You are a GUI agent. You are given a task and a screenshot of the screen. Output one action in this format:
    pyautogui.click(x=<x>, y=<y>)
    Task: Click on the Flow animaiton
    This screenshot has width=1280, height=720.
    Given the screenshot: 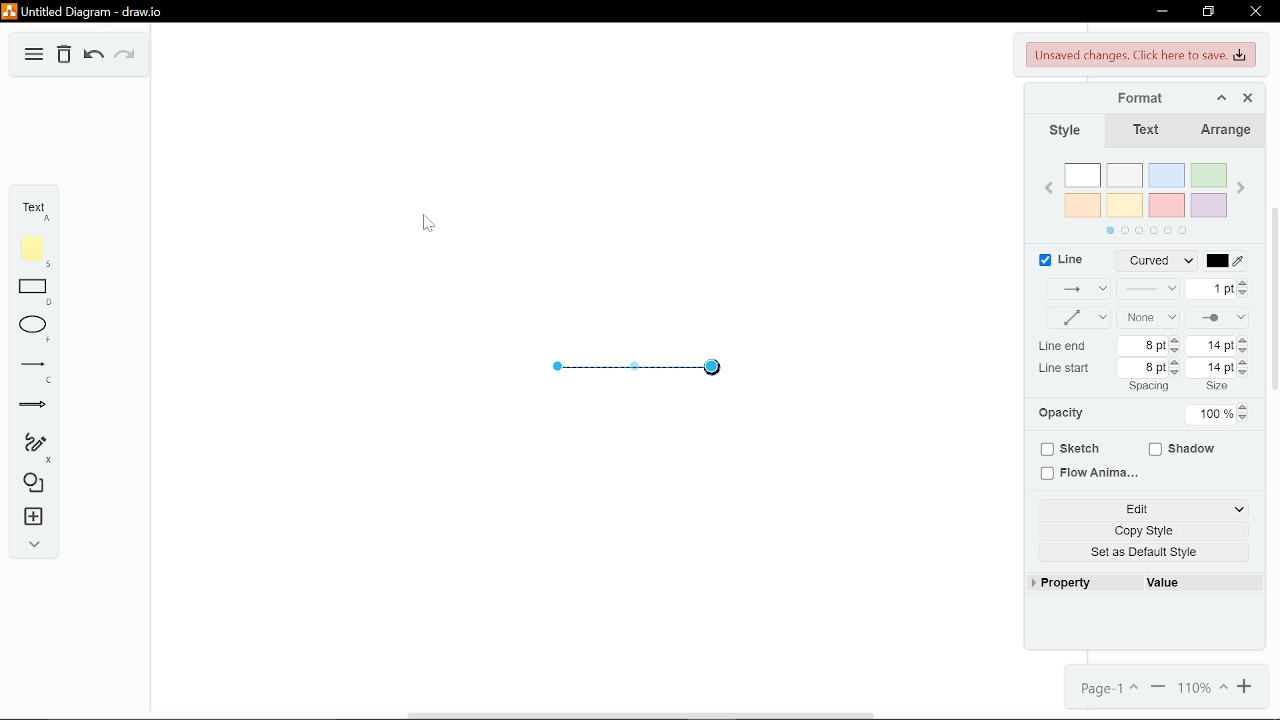 What is the action you would take?
    pyautogui.click(x=1087, y=474)
    